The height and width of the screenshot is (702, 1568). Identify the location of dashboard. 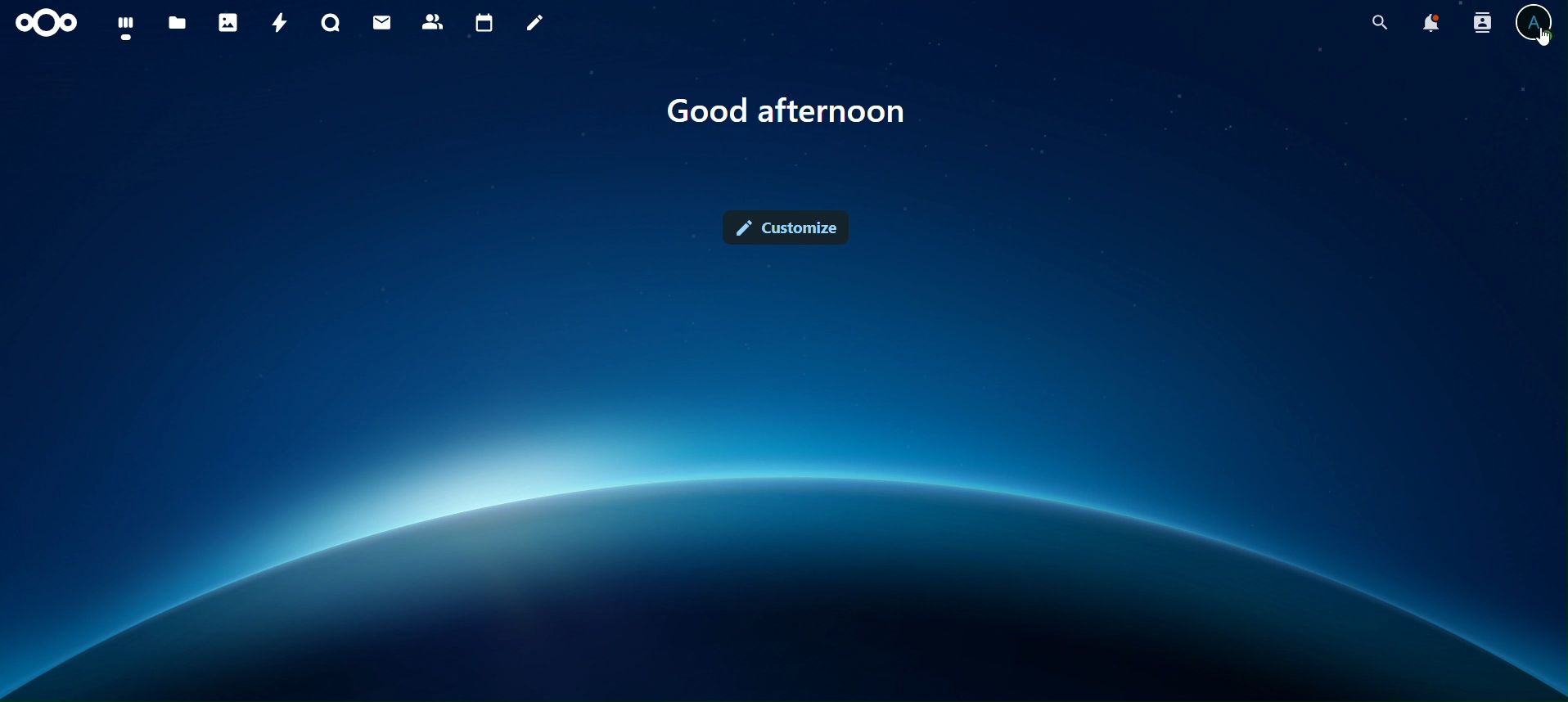
(126, 27).